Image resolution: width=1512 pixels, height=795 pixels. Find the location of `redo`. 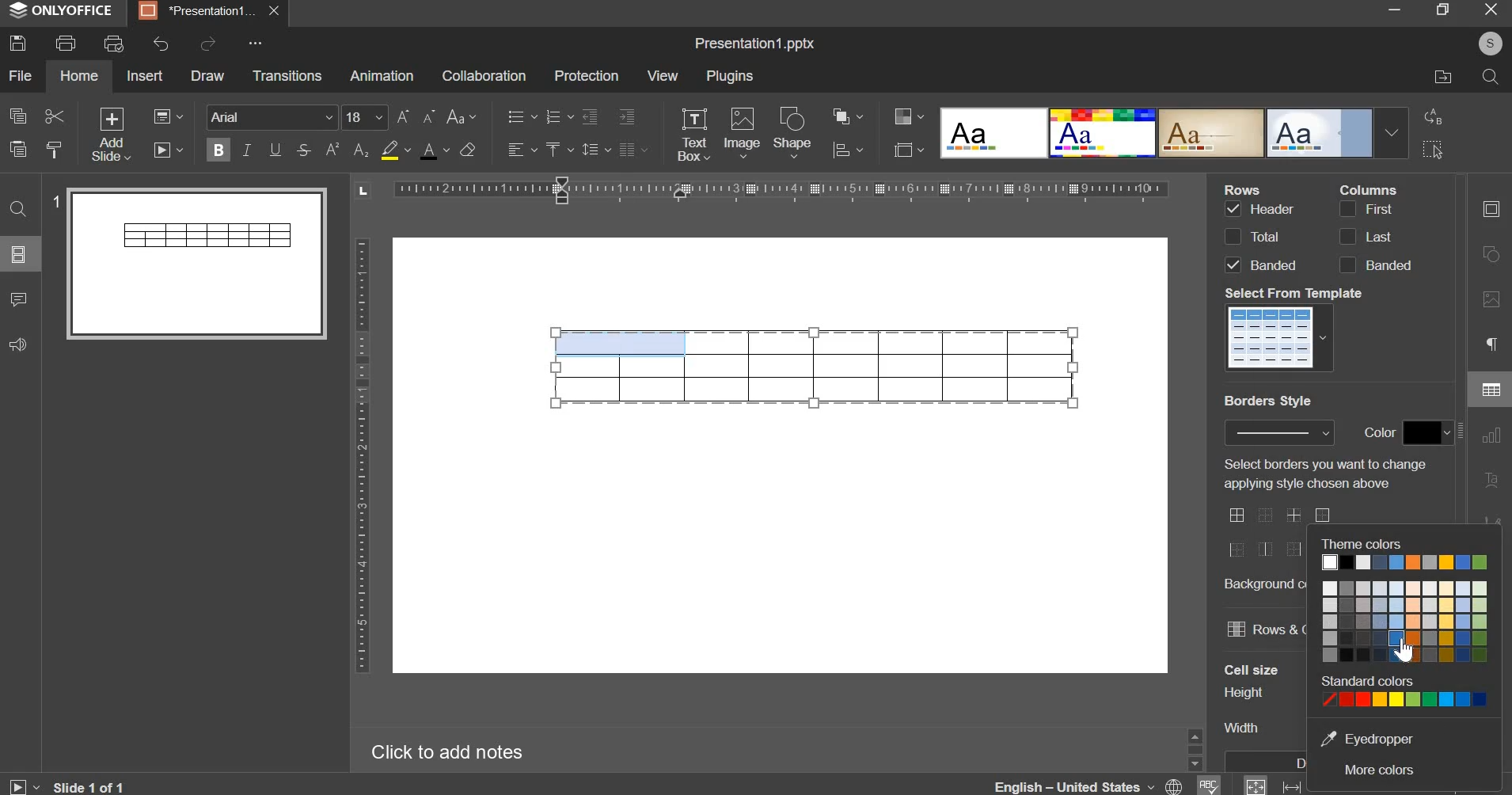

redo is located at coordinates (207, 44).